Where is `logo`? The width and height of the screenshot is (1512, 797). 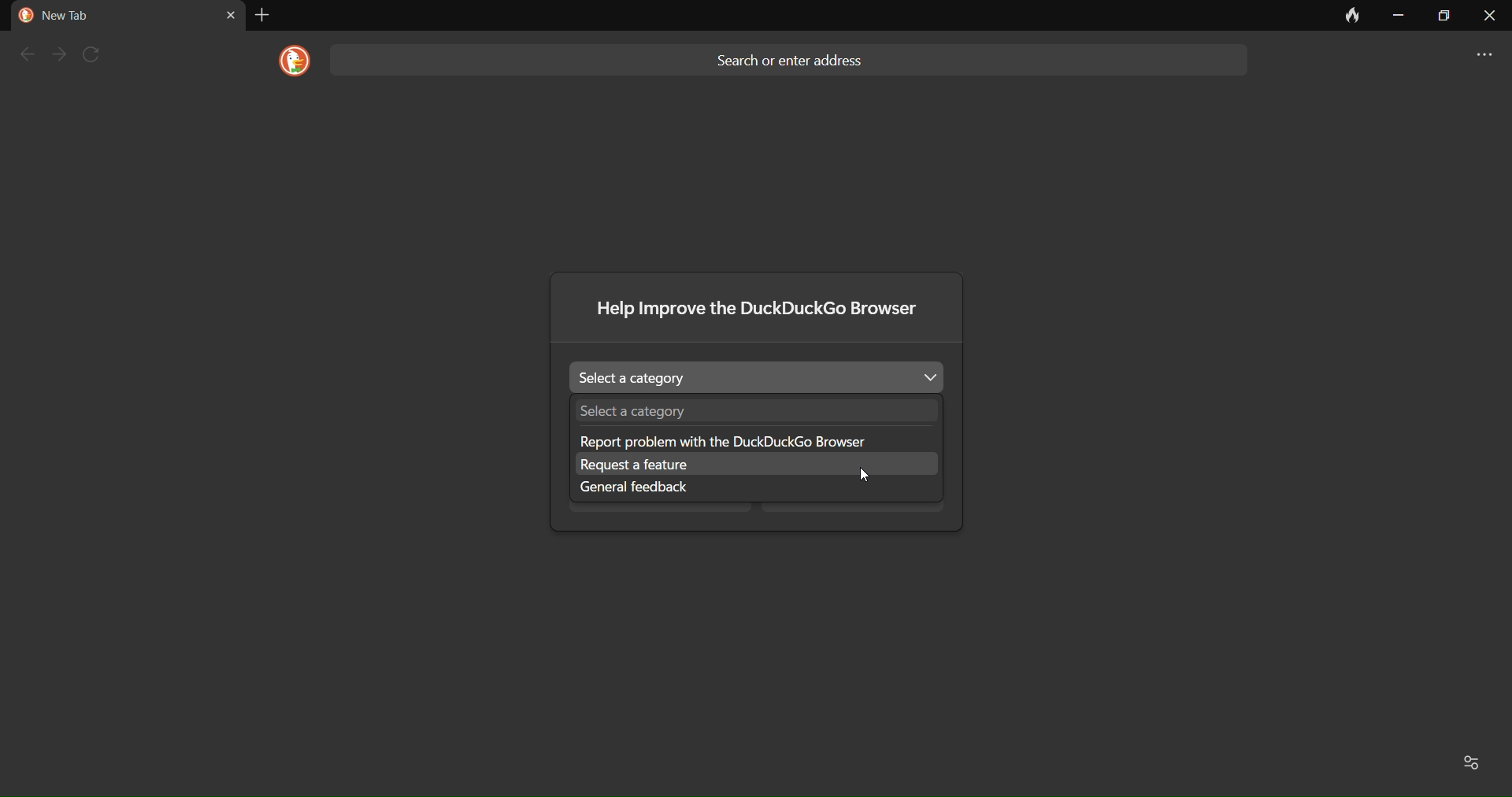 logo is located at coordinates (289, 61).